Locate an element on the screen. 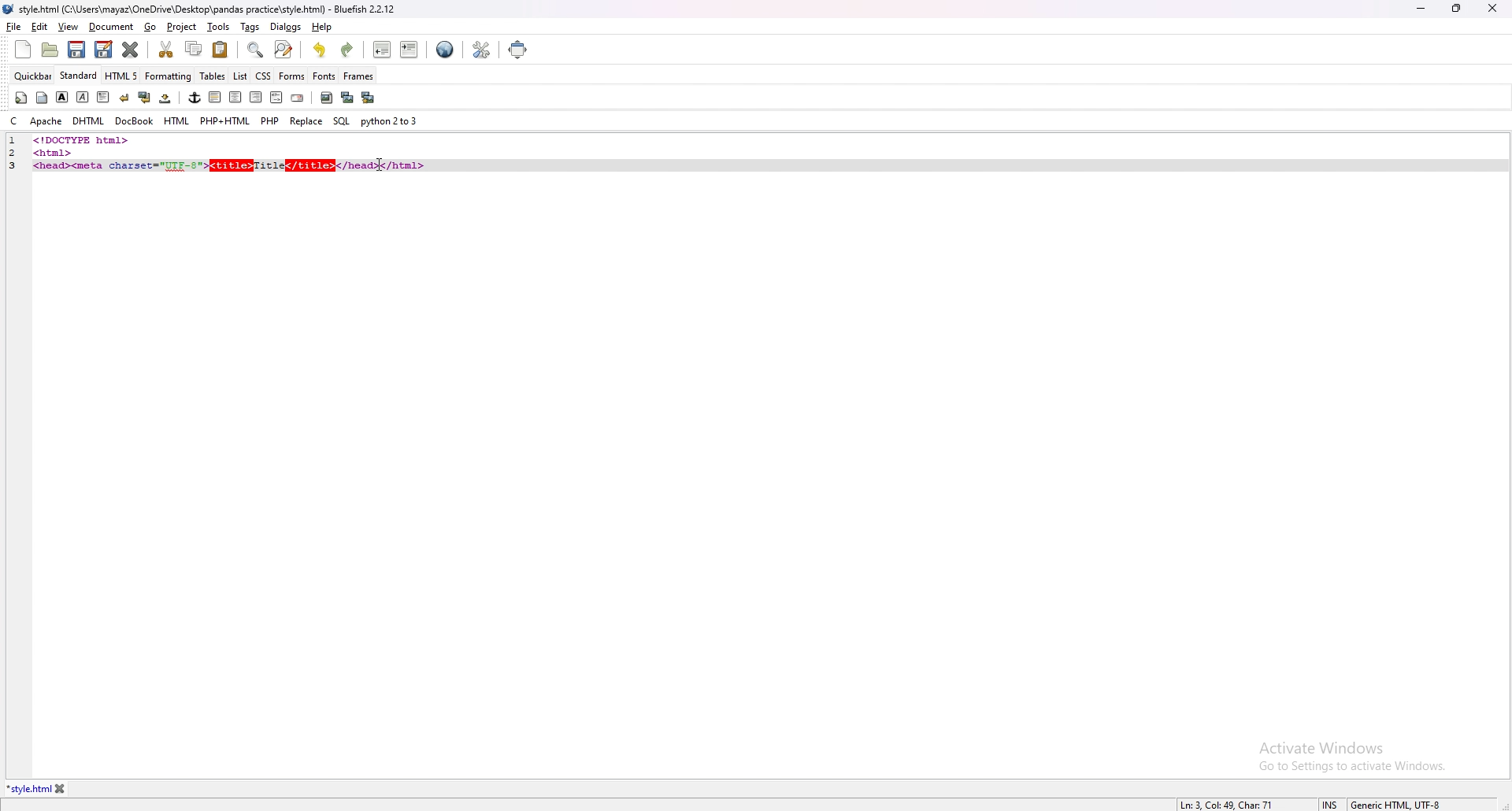 This screenshot has height=811, width=1512. undo is located at coordinates (321, 50).